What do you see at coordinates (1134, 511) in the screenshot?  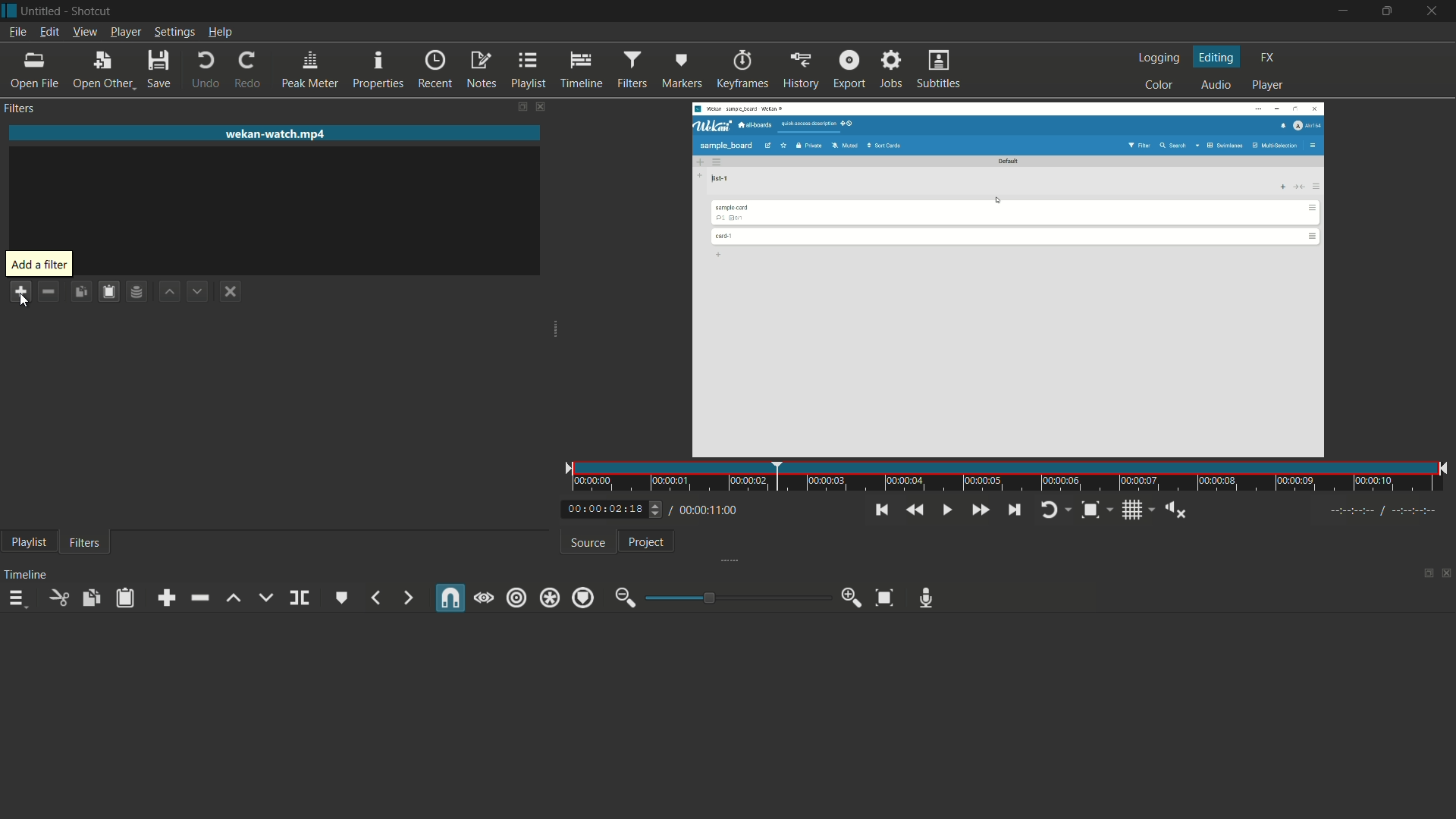 I see `toggle grid` at bounding box center [1134, 511].